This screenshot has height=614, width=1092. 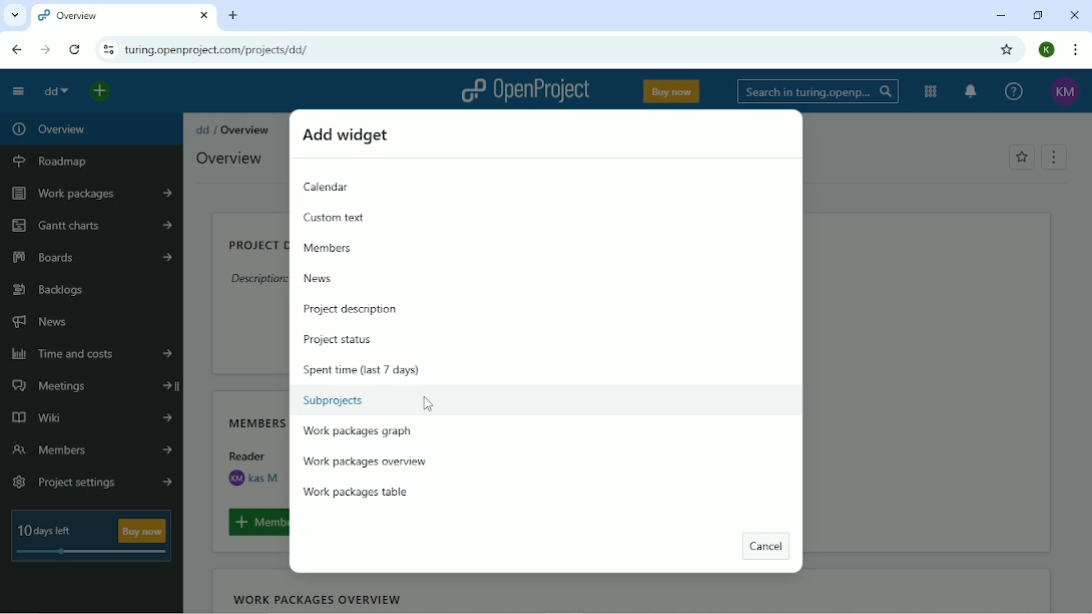 What do you see at coordinates (357, 431) in the screenshot?
I see `Work packages graph` at bounding box center [357, 431].